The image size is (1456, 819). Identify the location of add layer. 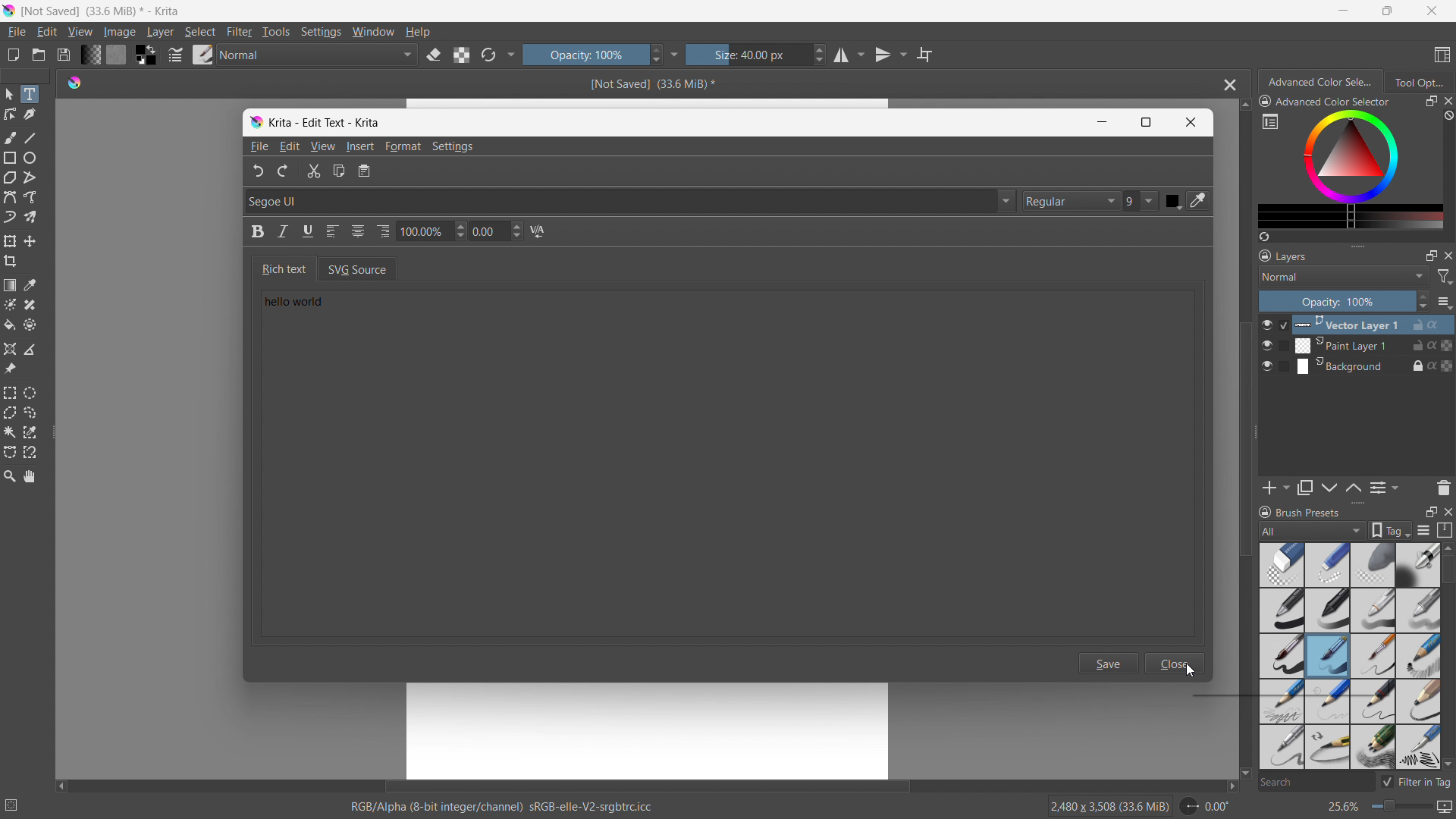
(1276, 488).